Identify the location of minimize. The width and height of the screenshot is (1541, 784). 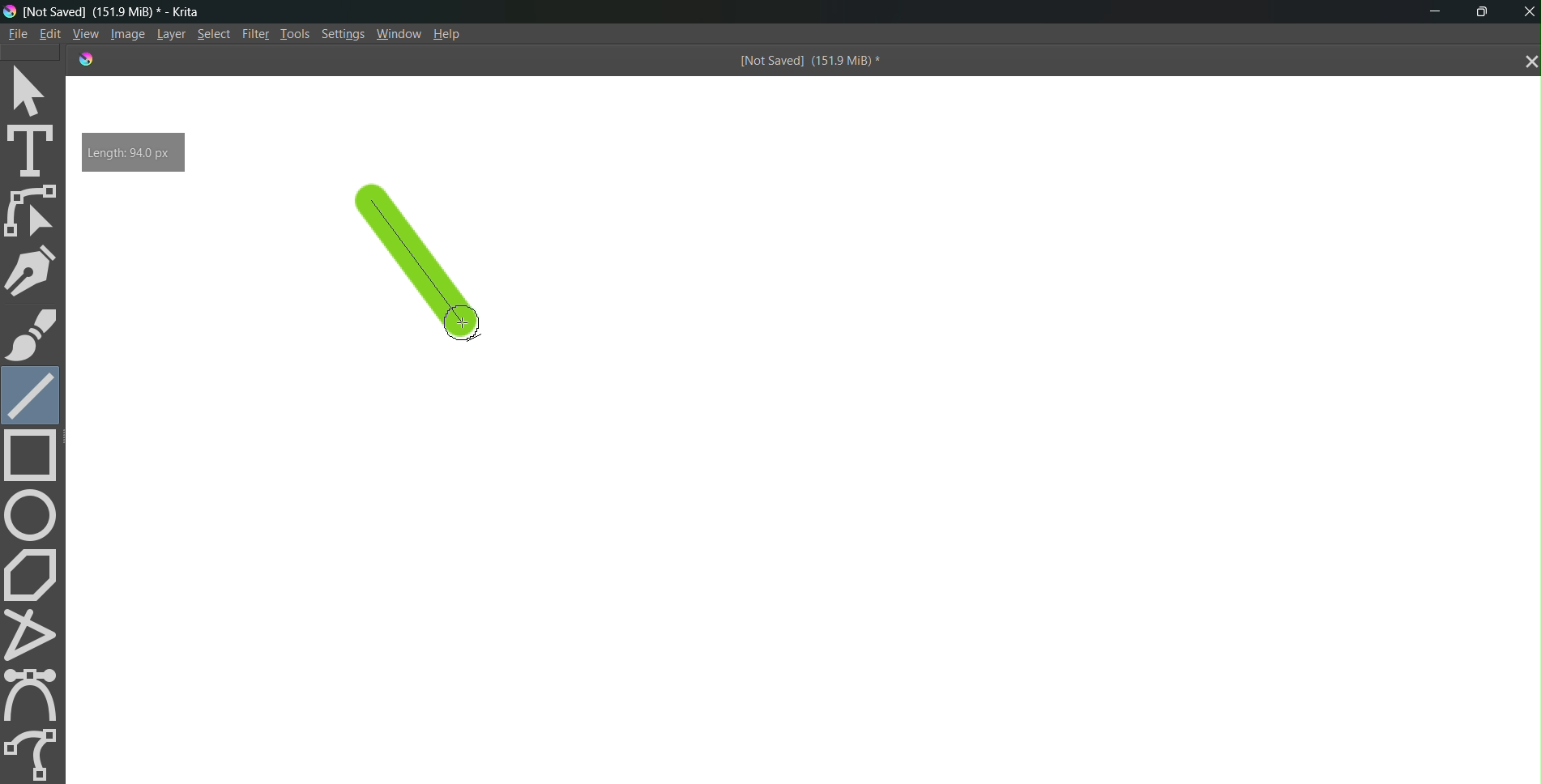
(1429, 13).